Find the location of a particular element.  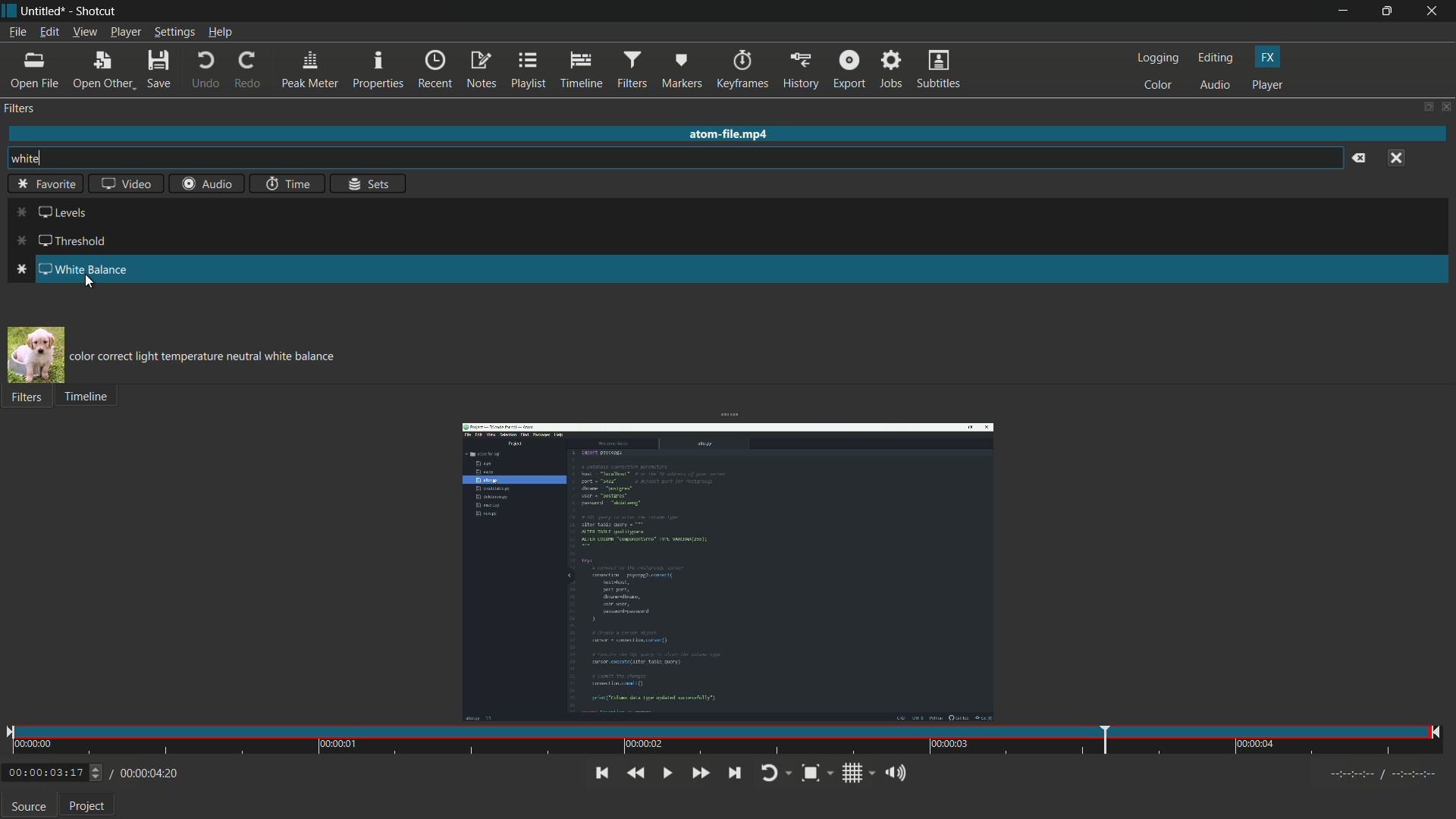

video is located at coordinates (127, 184).